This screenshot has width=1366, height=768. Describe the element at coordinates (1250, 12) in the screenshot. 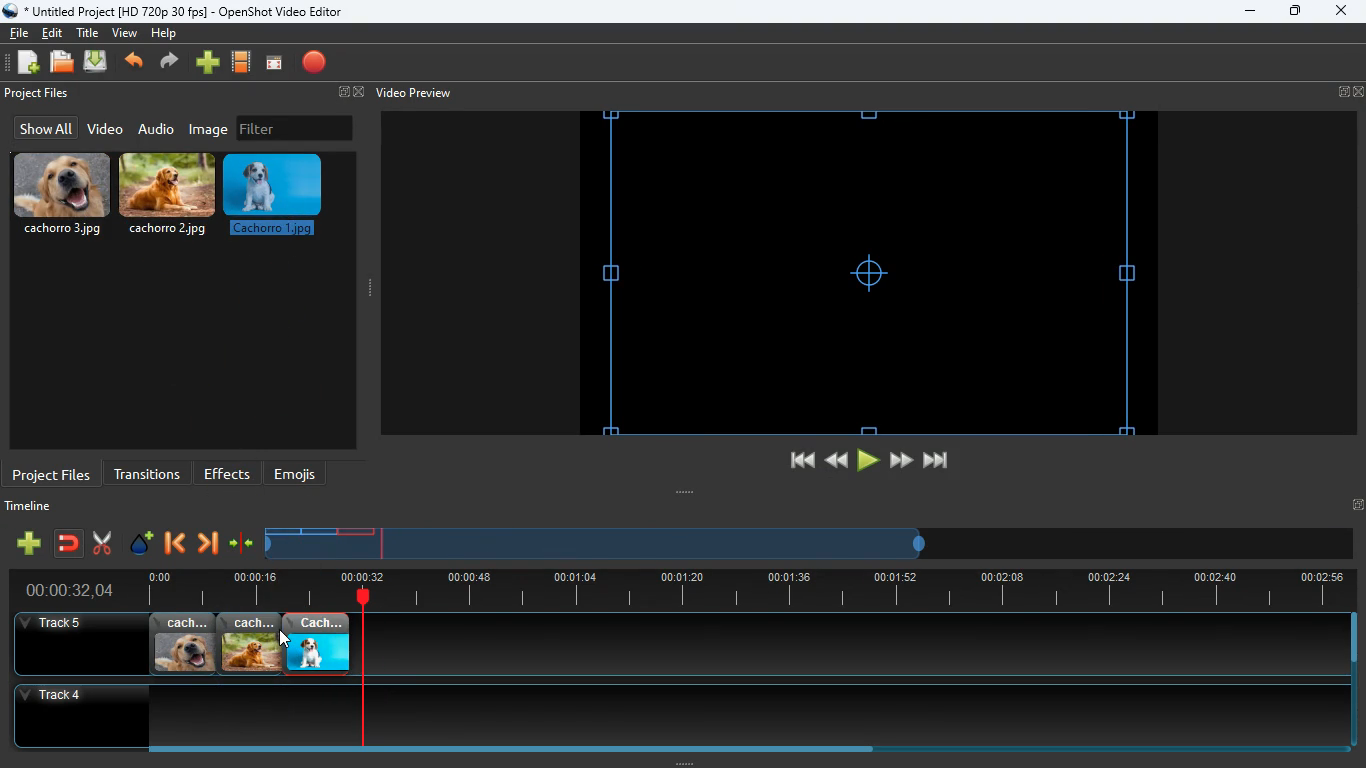

I see `minimize` at that location.